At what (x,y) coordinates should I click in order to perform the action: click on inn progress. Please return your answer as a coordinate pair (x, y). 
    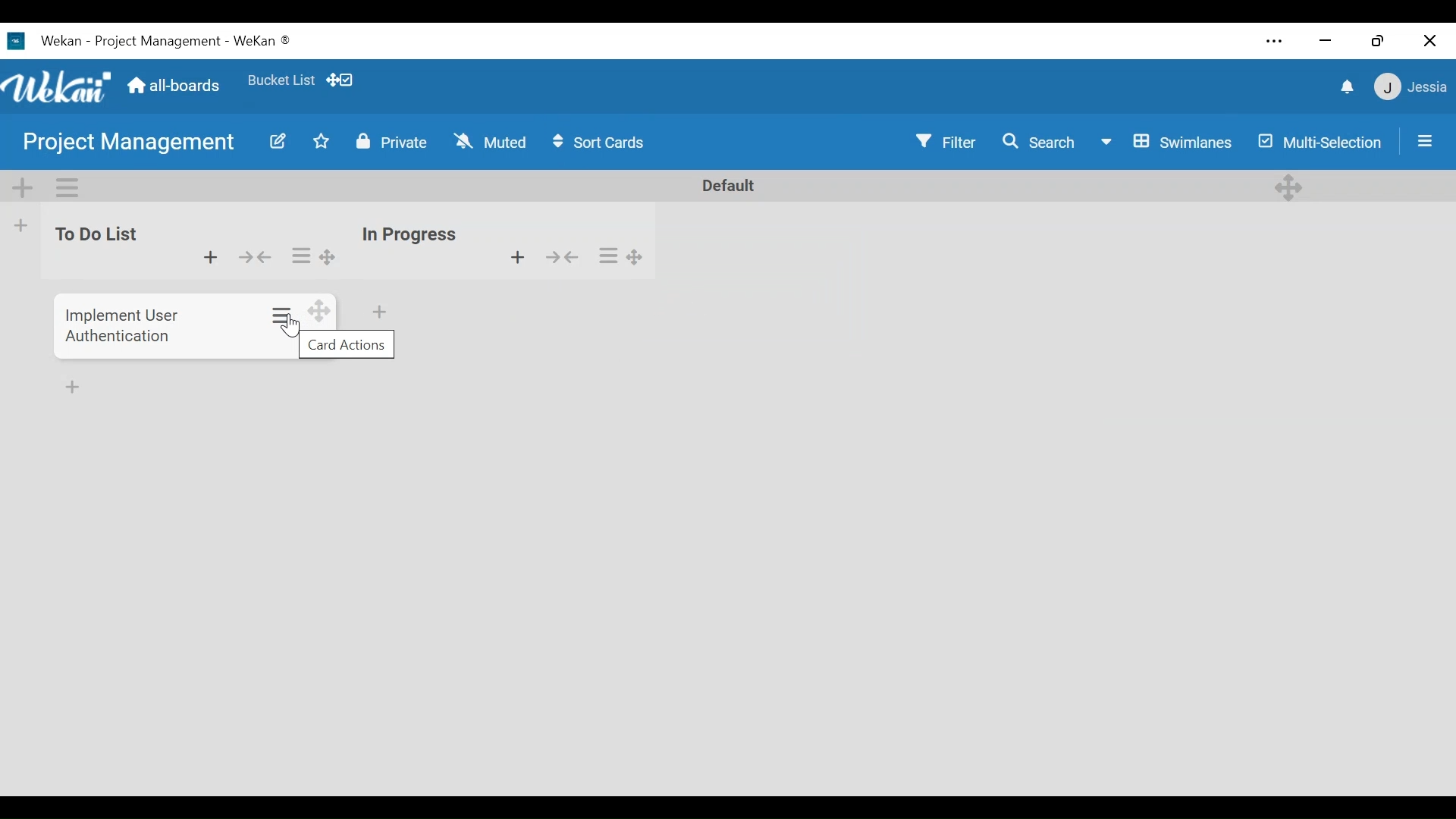
    Looking at the image, I should click on (410, 228).